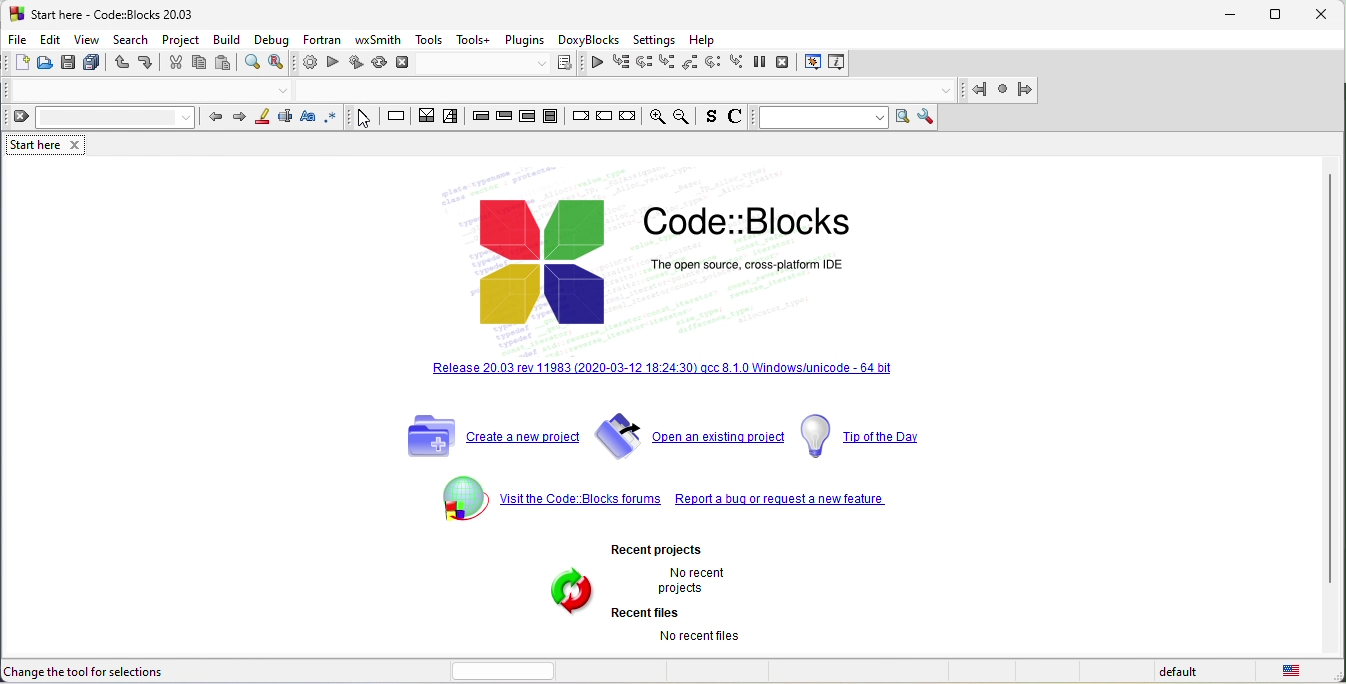 The image size is (1346, 684). I want to click on comment, so click(740, 118).